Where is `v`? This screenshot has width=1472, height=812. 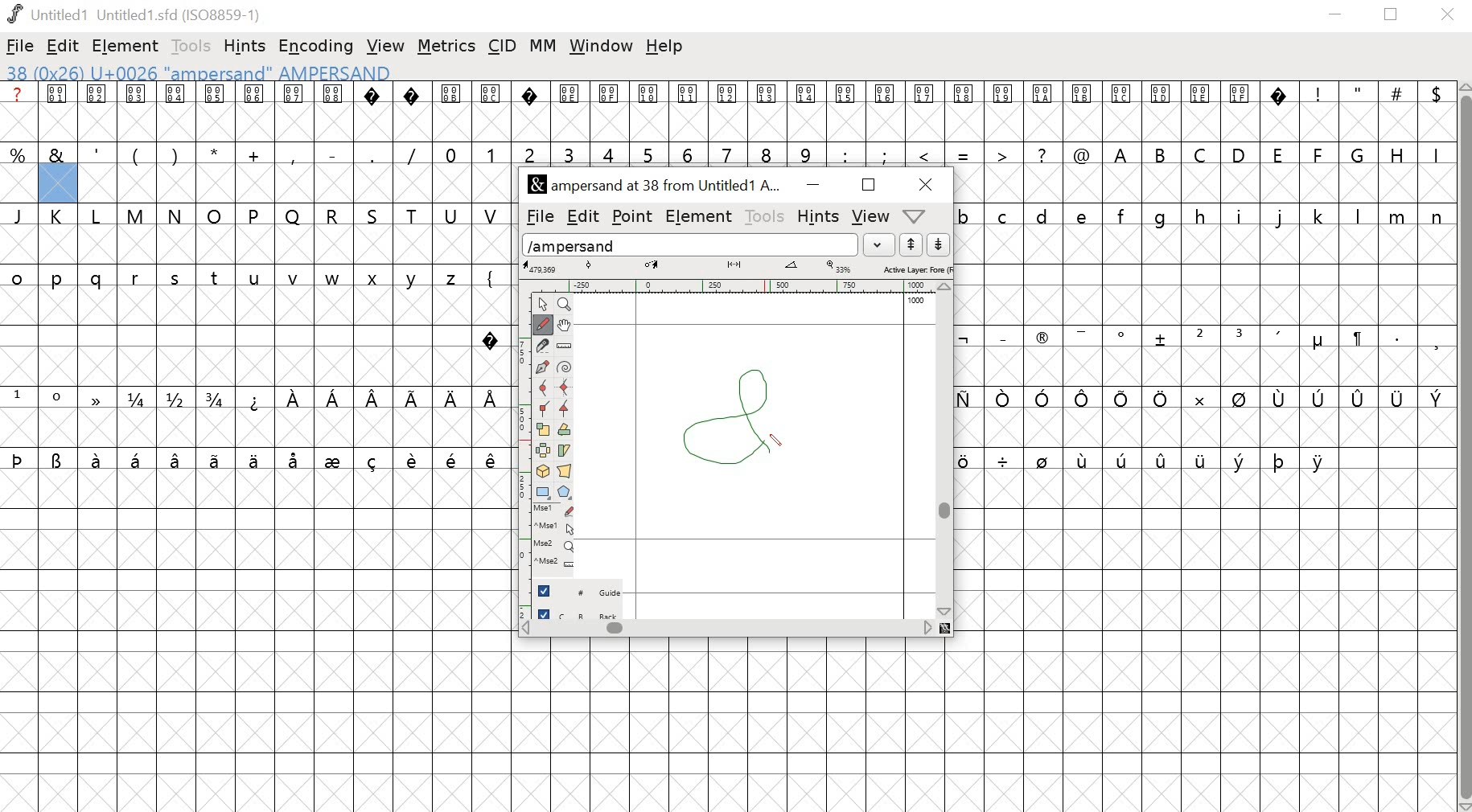 v is located at coordinates (294, 279).